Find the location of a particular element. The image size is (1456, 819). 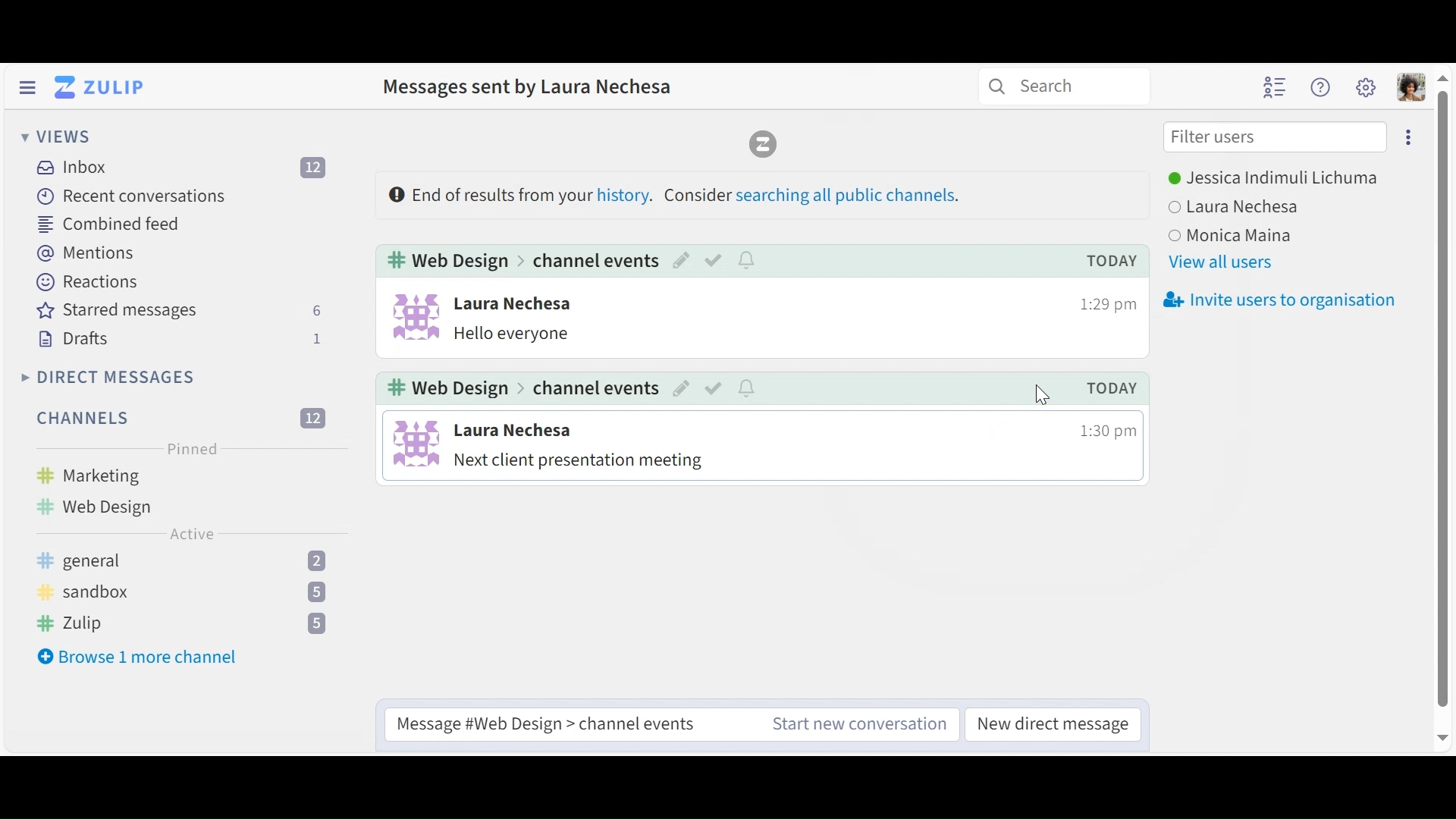

user 2 is located at coordinates (1240, 206).